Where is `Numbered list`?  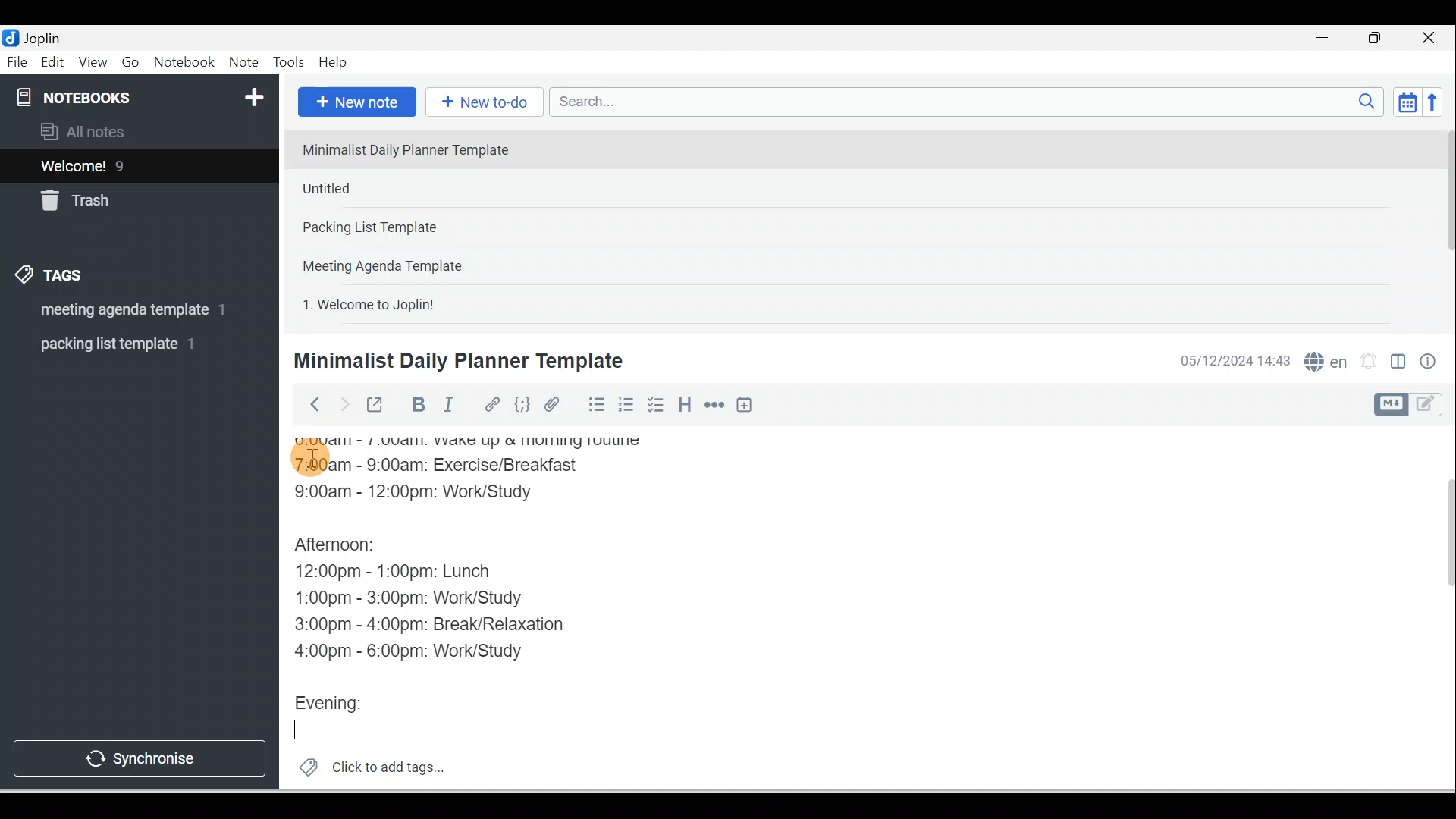 Numbered list is located at coordinates (626, 404).